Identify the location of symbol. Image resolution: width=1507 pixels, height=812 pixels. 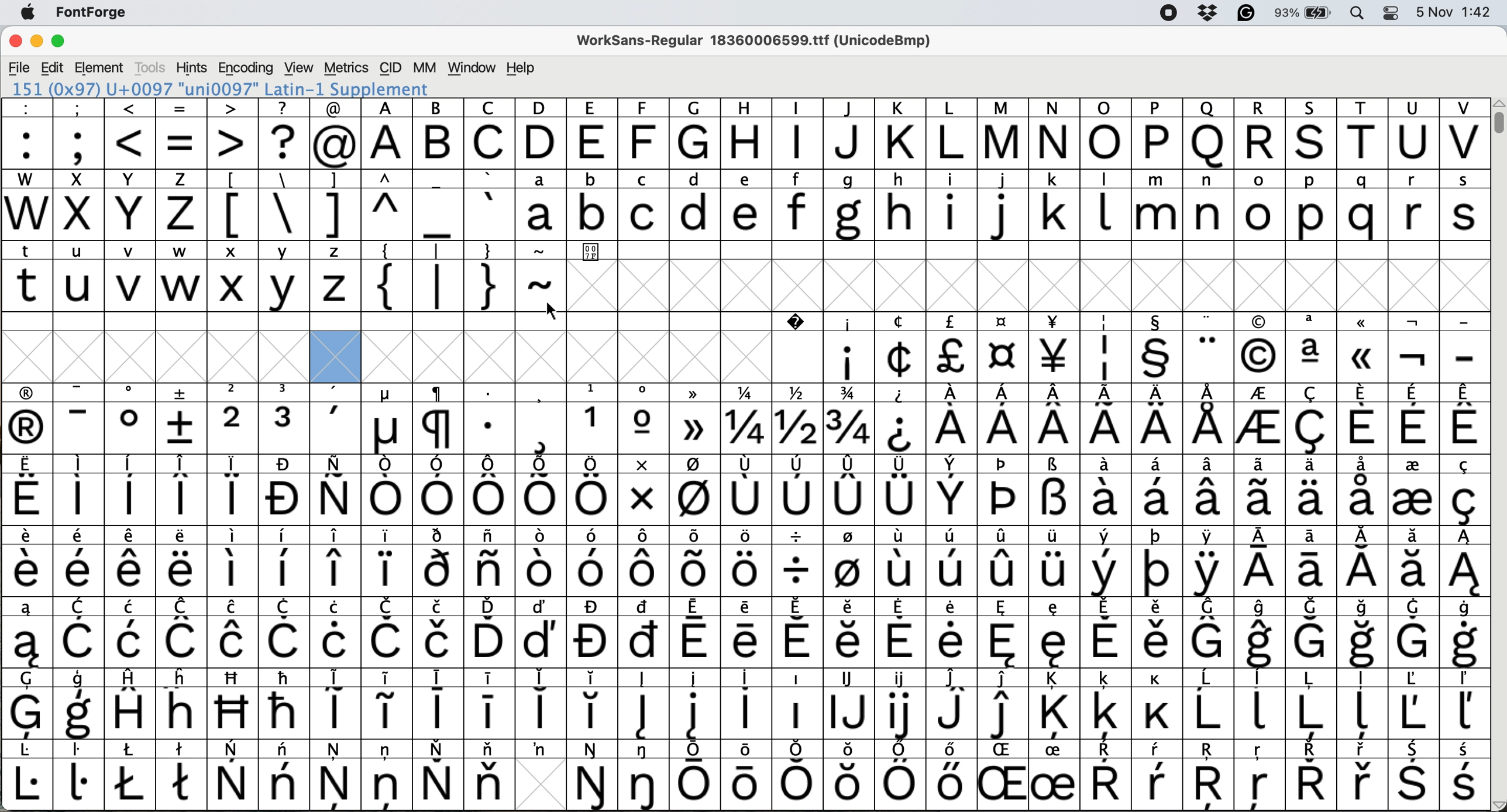
(1158, 490).